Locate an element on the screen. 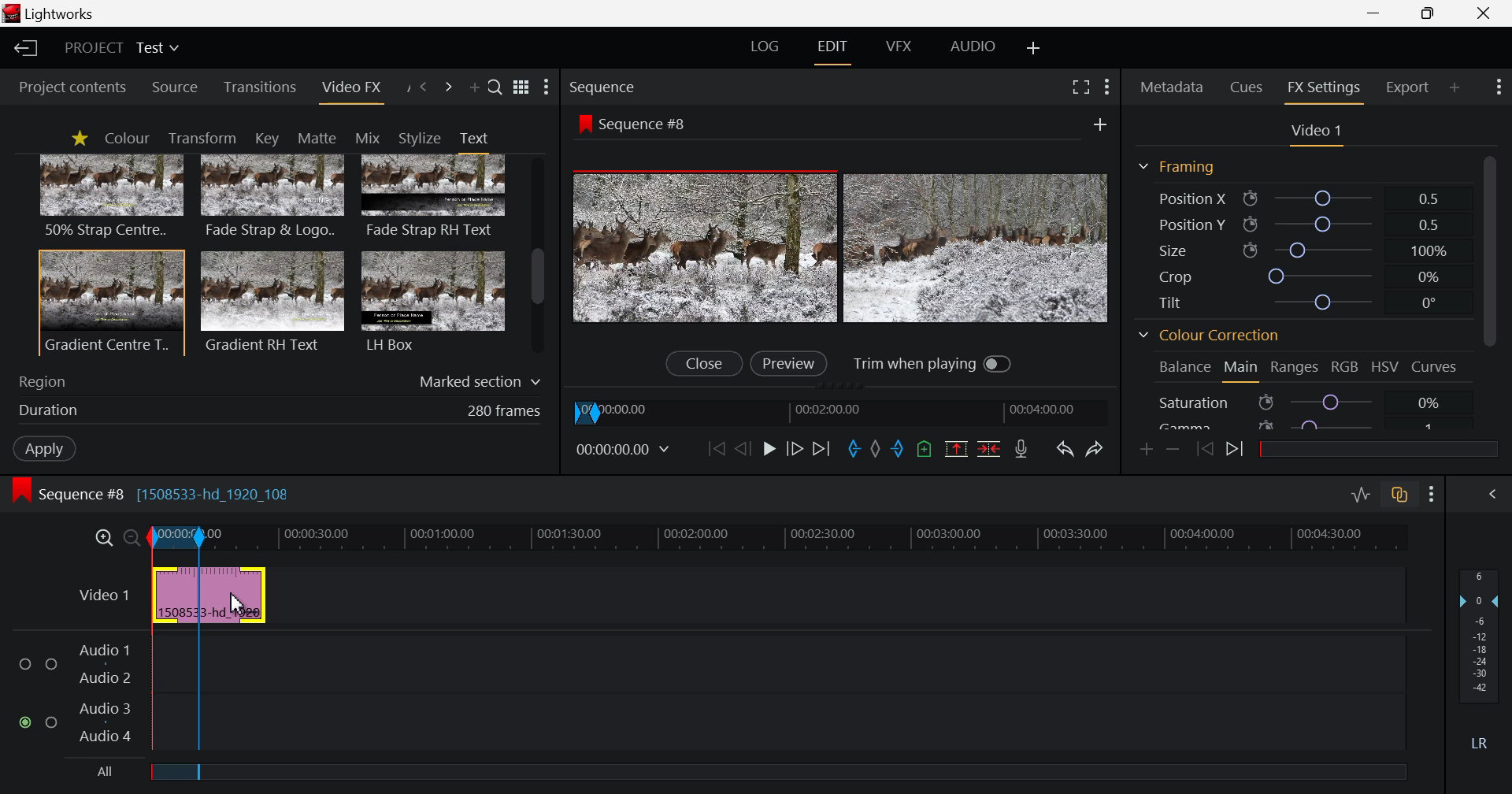 The height and width of the screenshot is (794, 1512). Toggle auto track sync is located at coordinates (1402, 497).